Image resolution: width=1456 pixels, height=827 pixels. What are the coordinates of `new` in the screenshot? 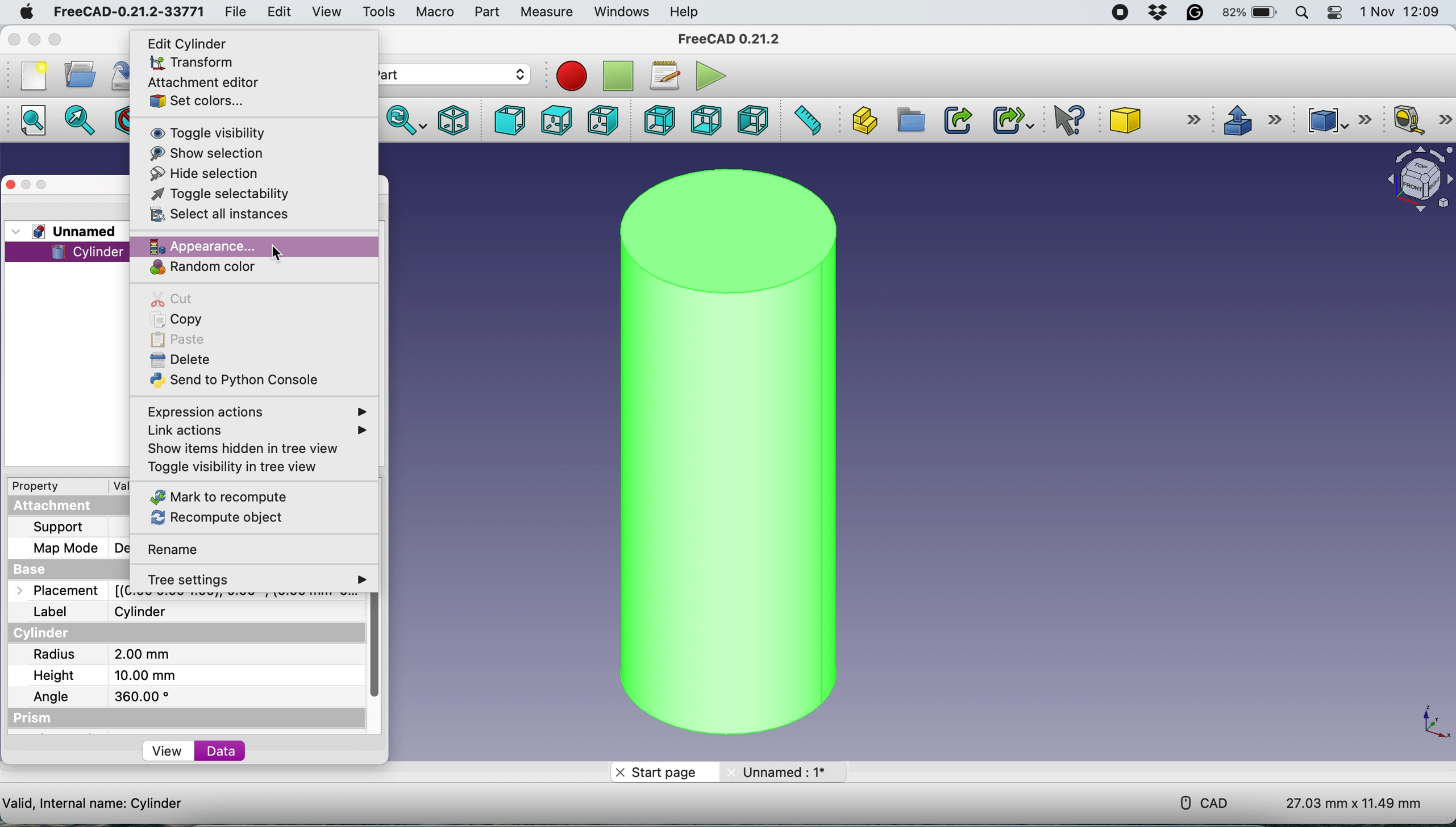 It's located at (34, 77).